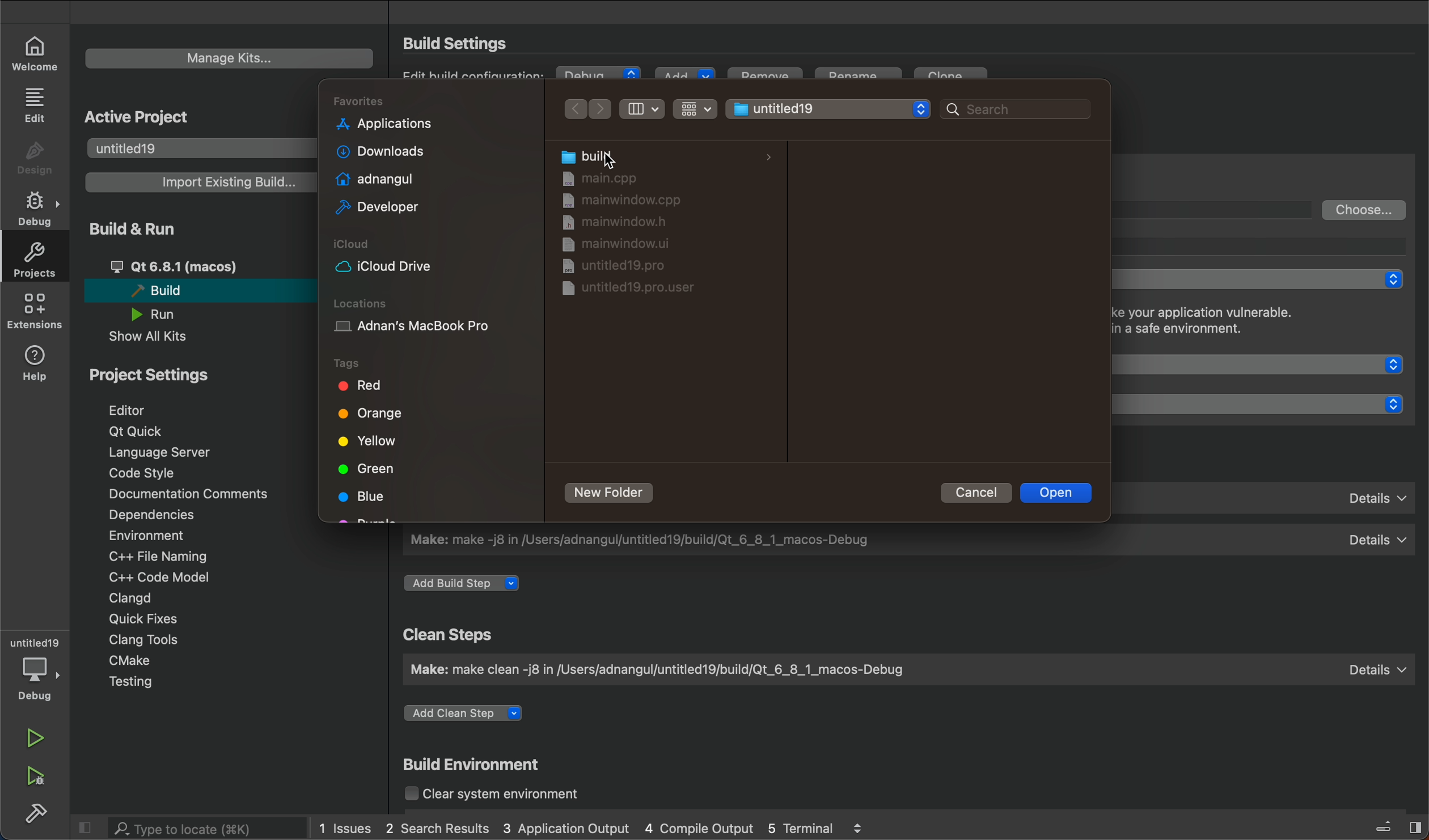 This screenshot has width=1429, height=840. Describe the element at coordinates (428, 319) in the screenshot. I see `location` at that location.